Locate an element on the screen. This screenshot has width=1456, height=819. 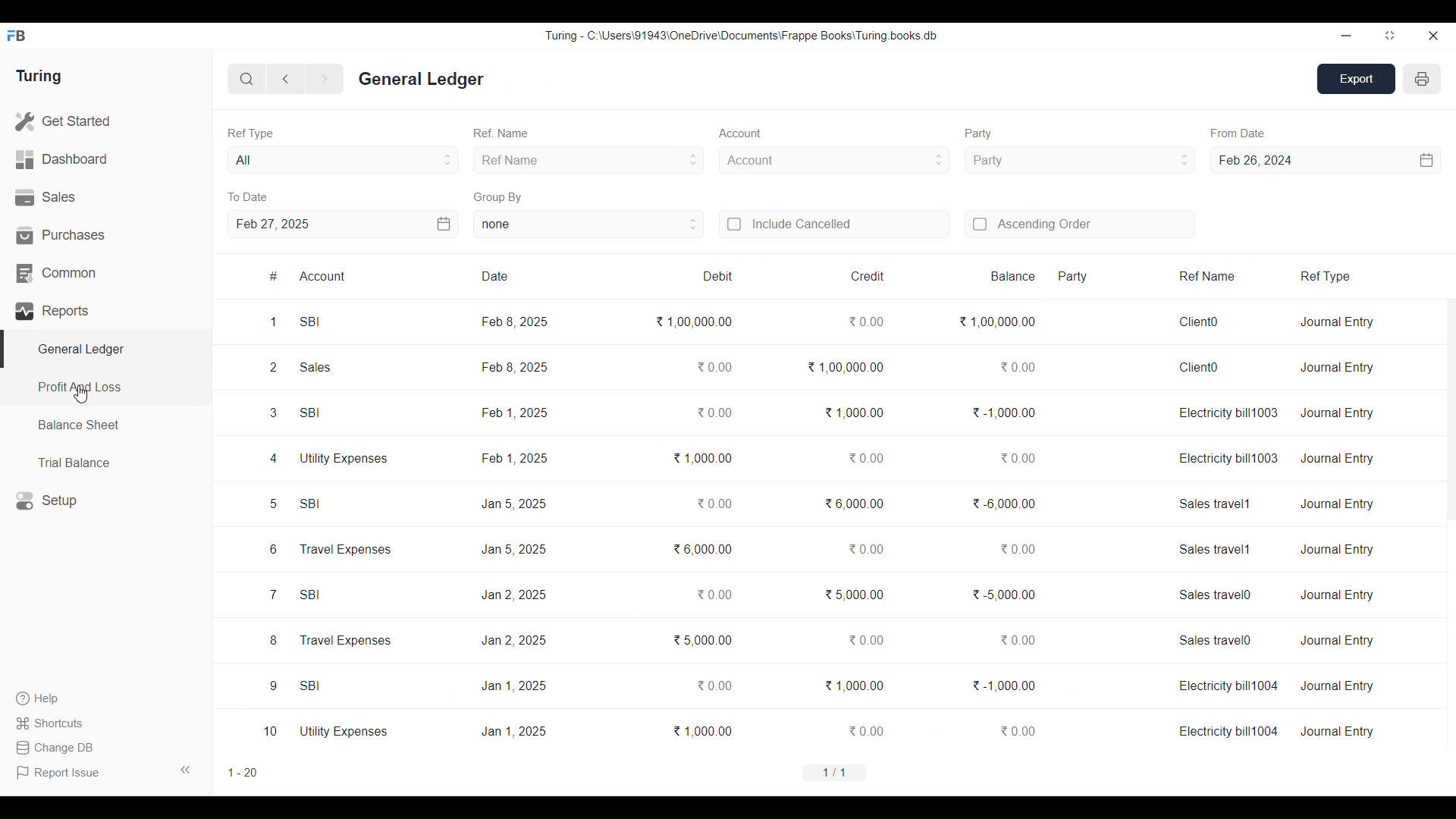
Sales travel0 is located at coordinates (1216, 595).